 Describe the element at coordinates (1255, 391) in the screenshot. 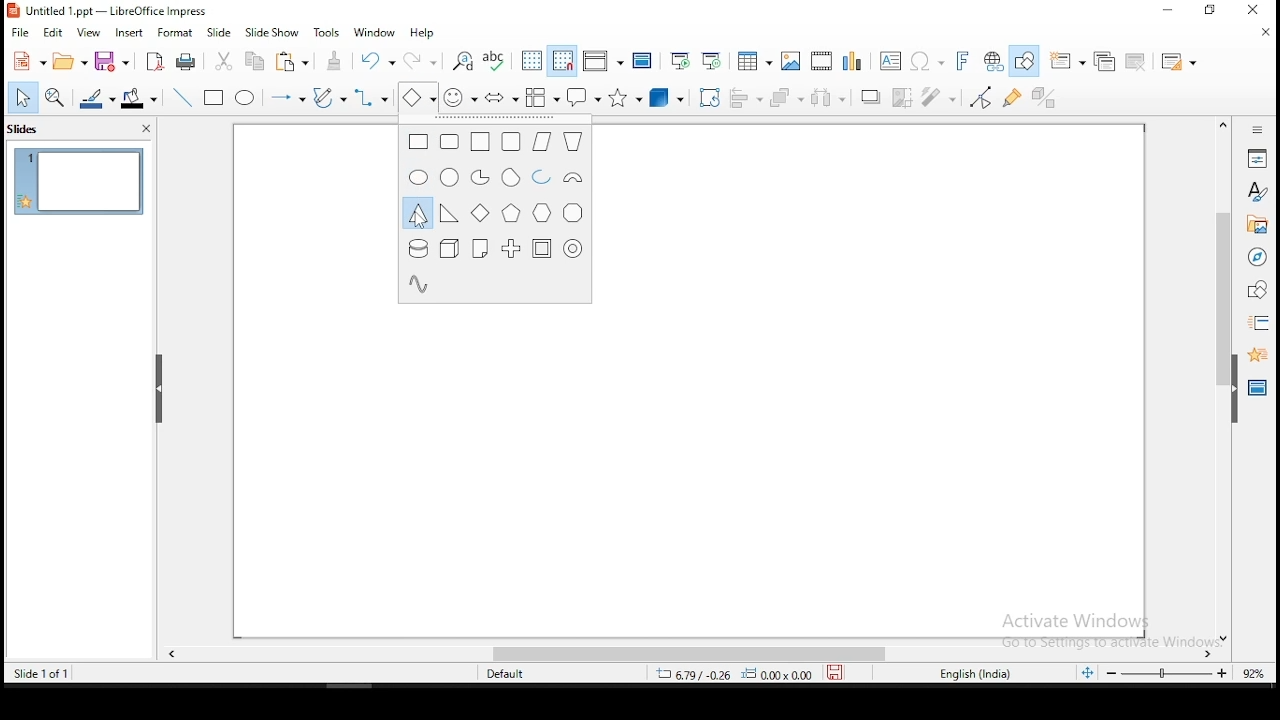

I see `master slides` at that location.